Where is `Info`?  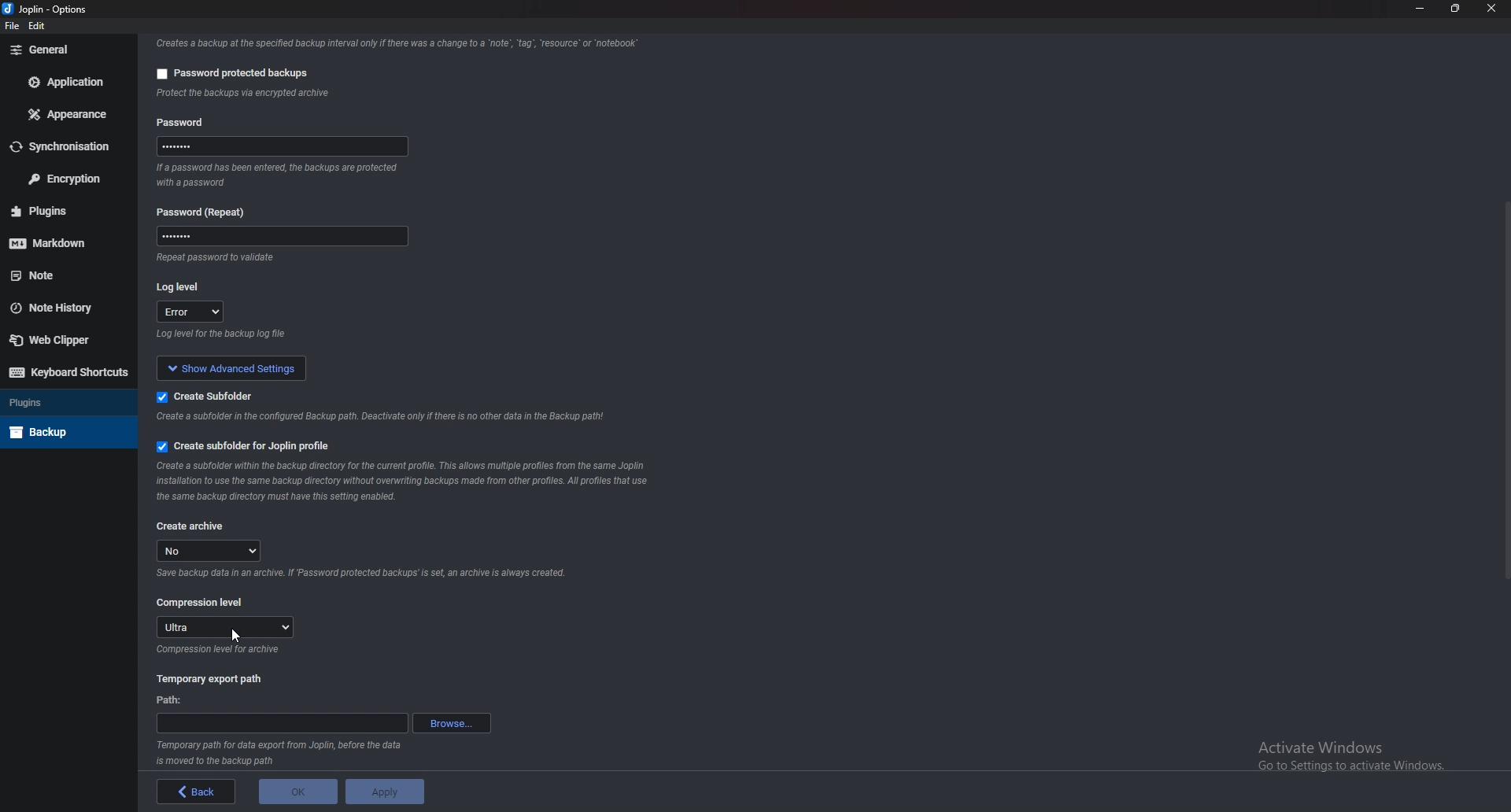 Info is located at coordinates (360, 576).